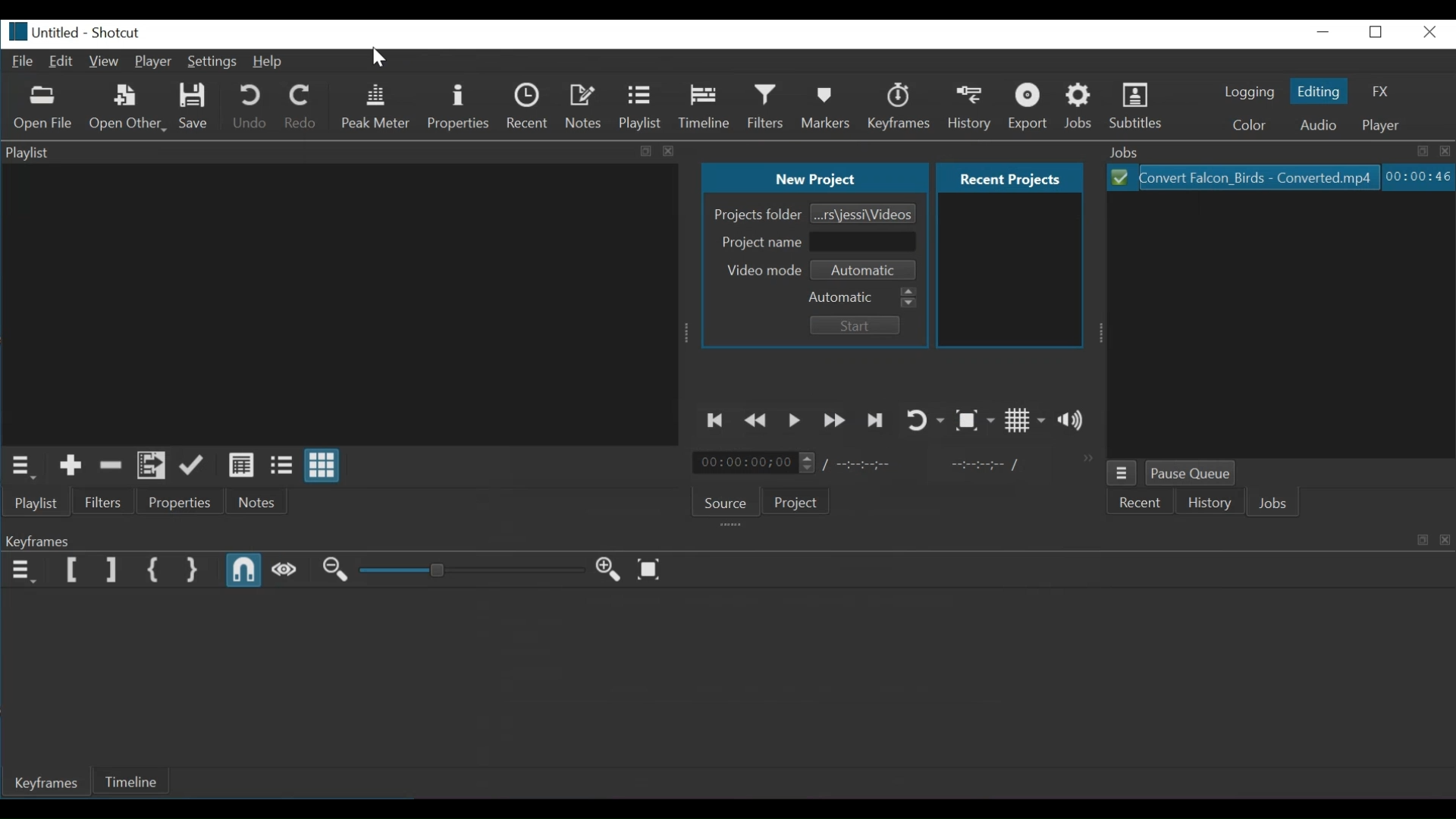  What do you see at coordinates (335, 573) in the screenshot?
I see `Zoom Keyframe out` at bounding box center [335, 573].